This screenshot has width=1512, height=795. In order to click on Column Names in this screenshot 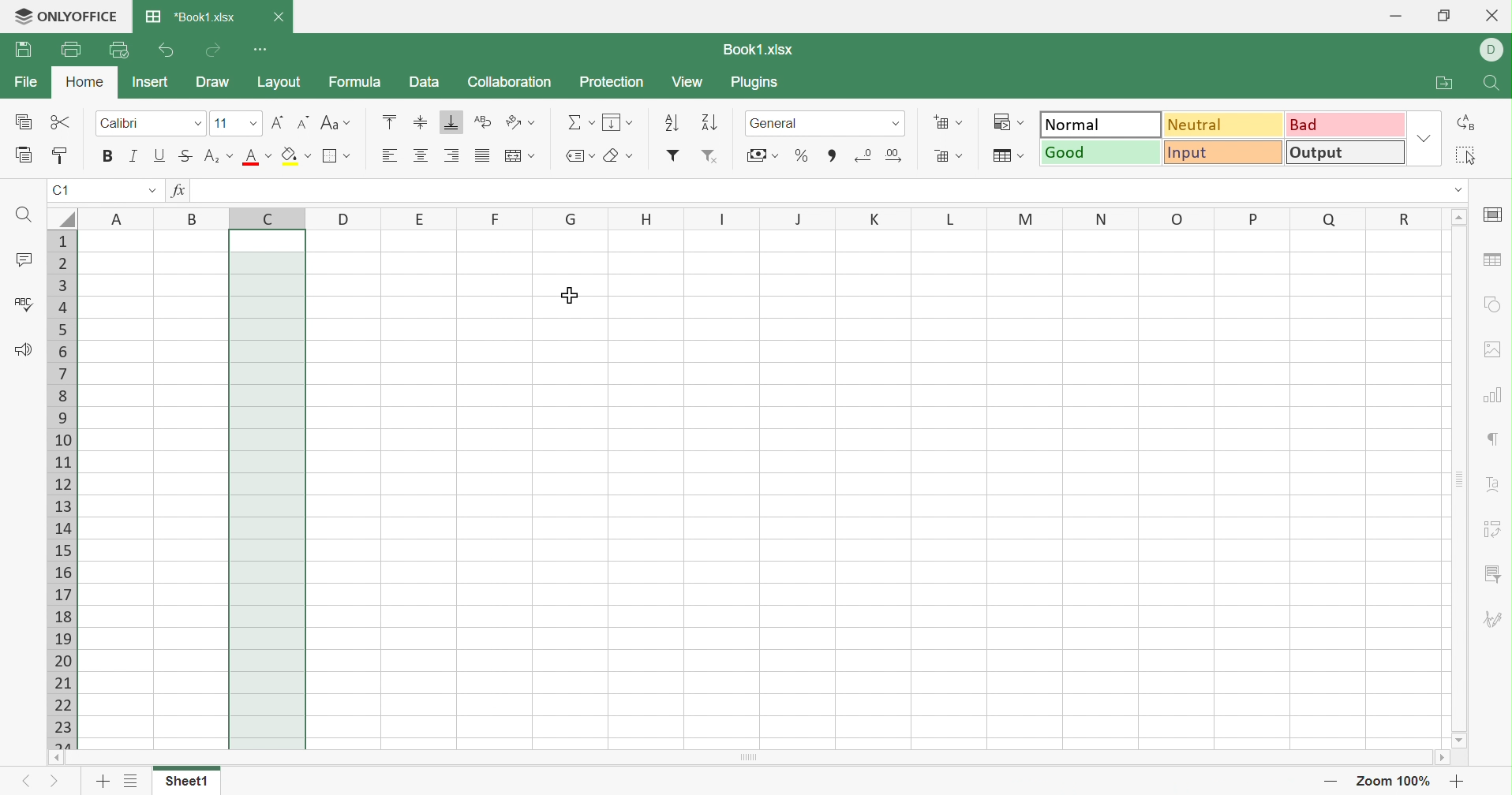, I will do `click(746, 216)`.